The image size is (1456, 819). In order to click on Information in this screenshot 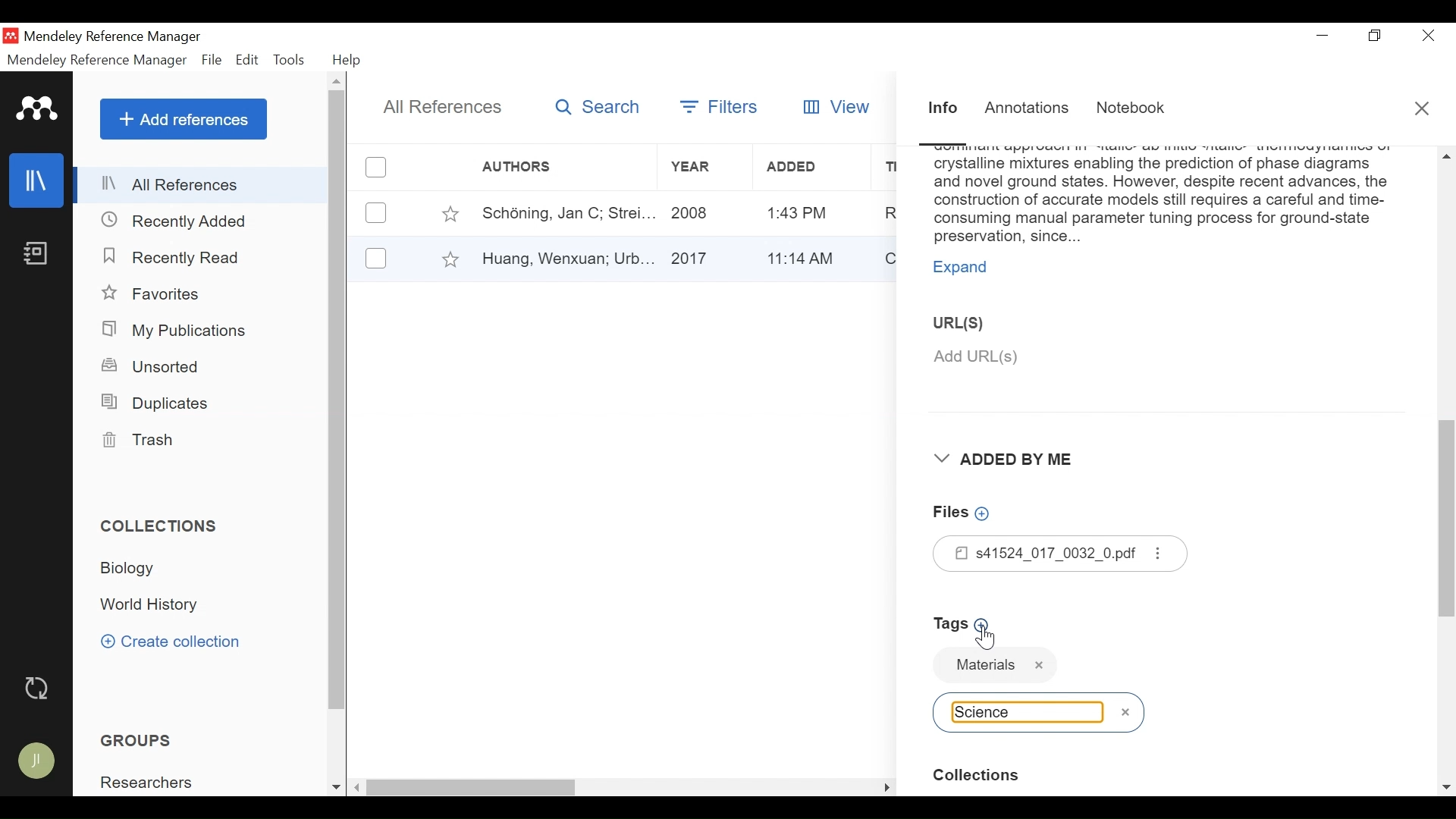, I will do `click(944, 109)`.